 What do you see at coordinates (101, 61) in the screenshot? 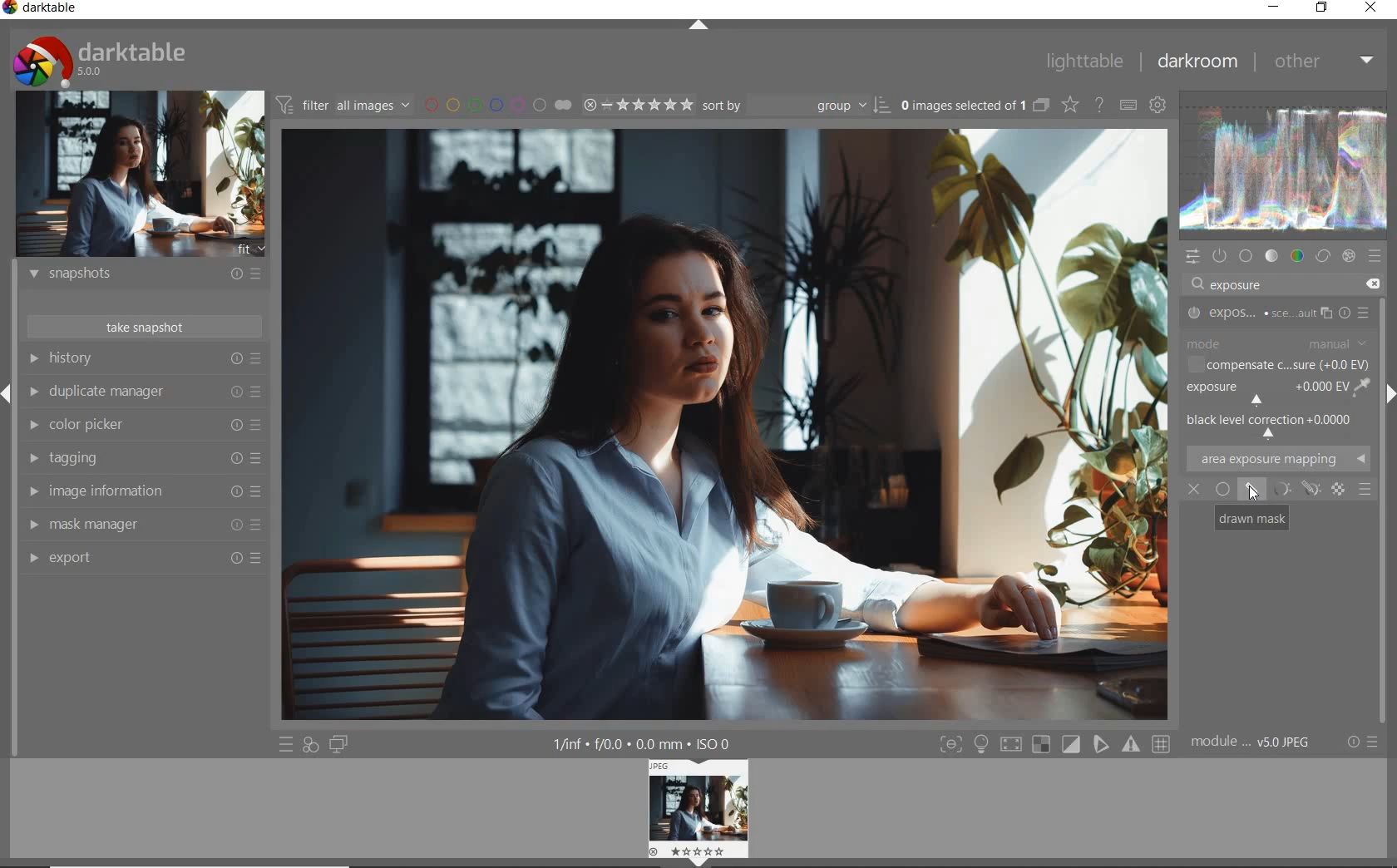
I see `system logo` at bounding box center [101, 61].